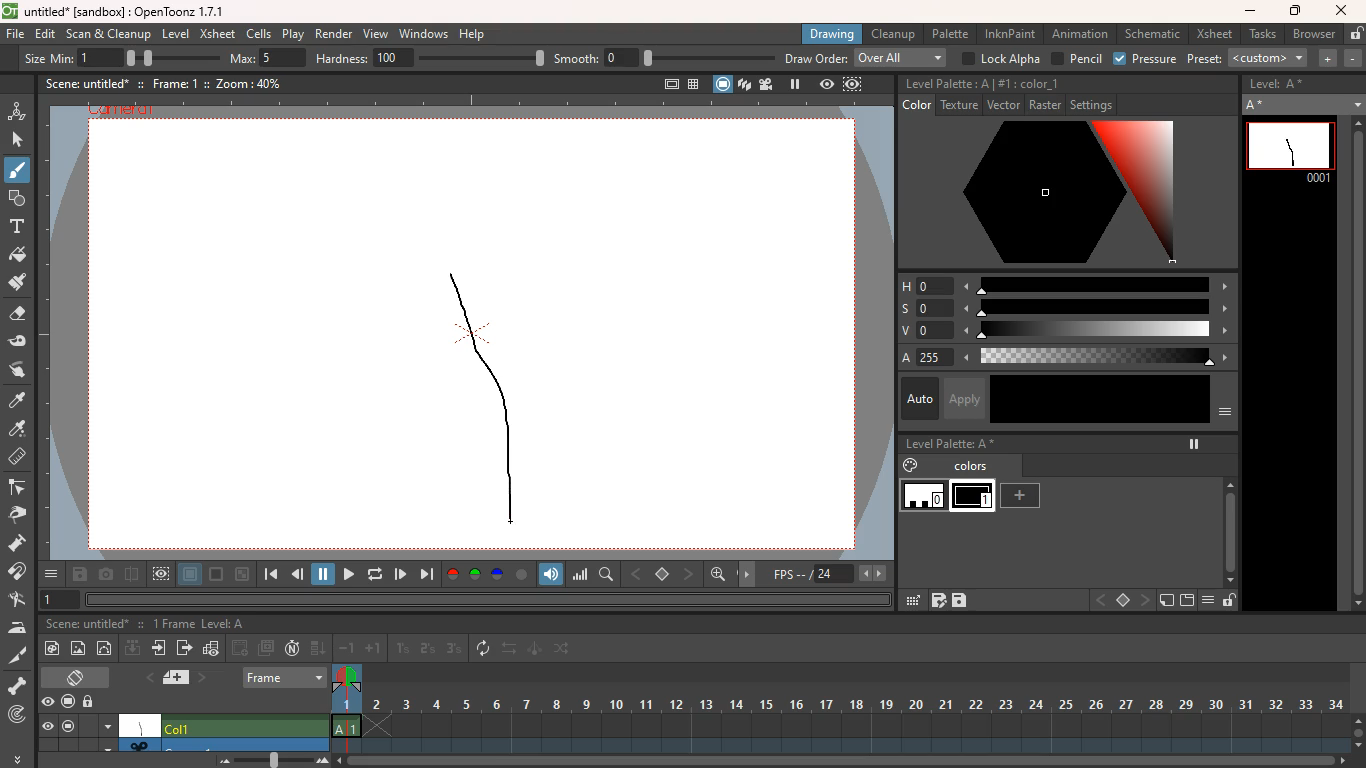 This screenshot has width=1366, height=768. I want to click on camera, so click(106, 575).